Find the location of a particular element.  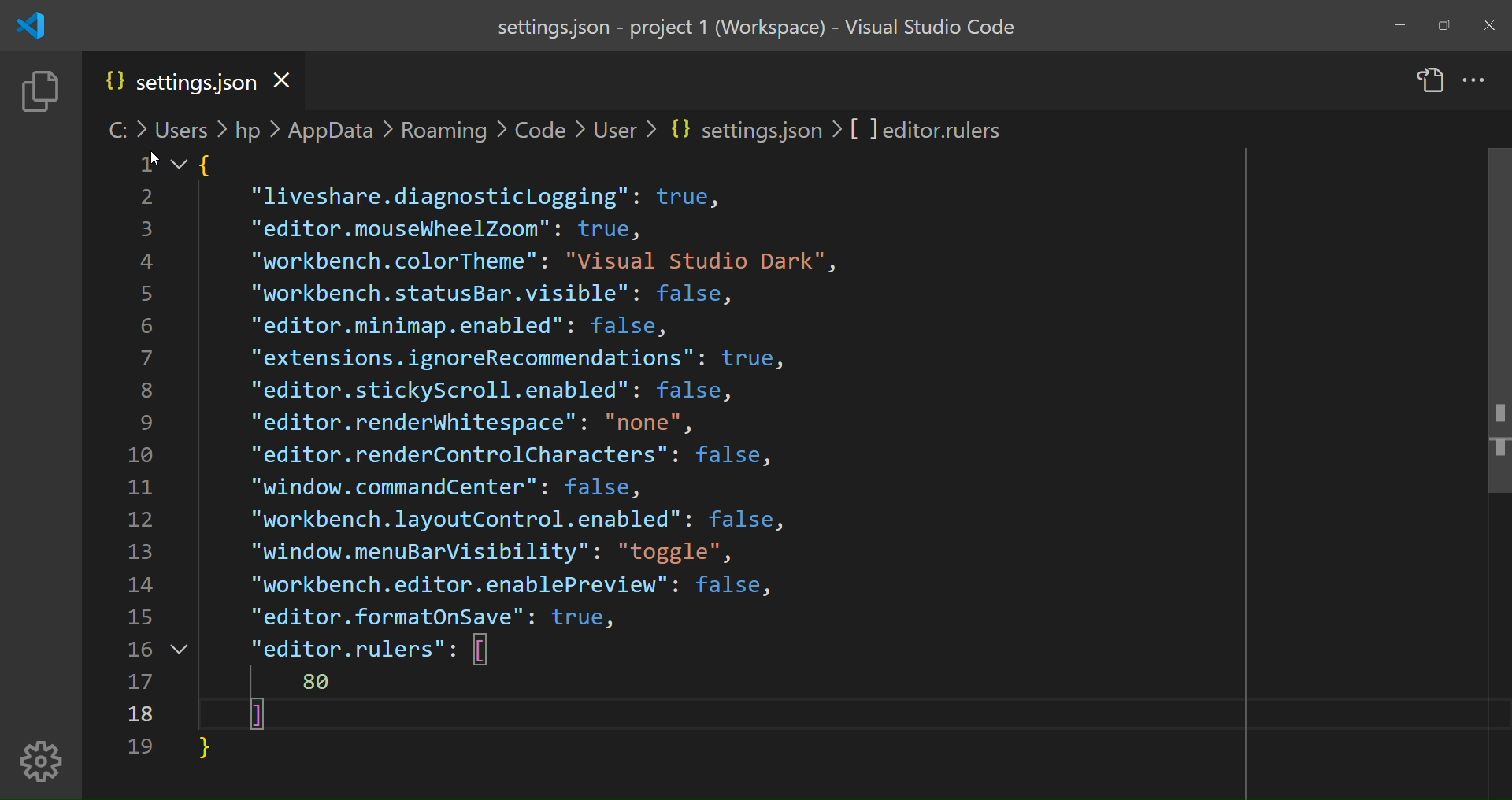

value added for editor ruler is located at coordinates (316, 684).